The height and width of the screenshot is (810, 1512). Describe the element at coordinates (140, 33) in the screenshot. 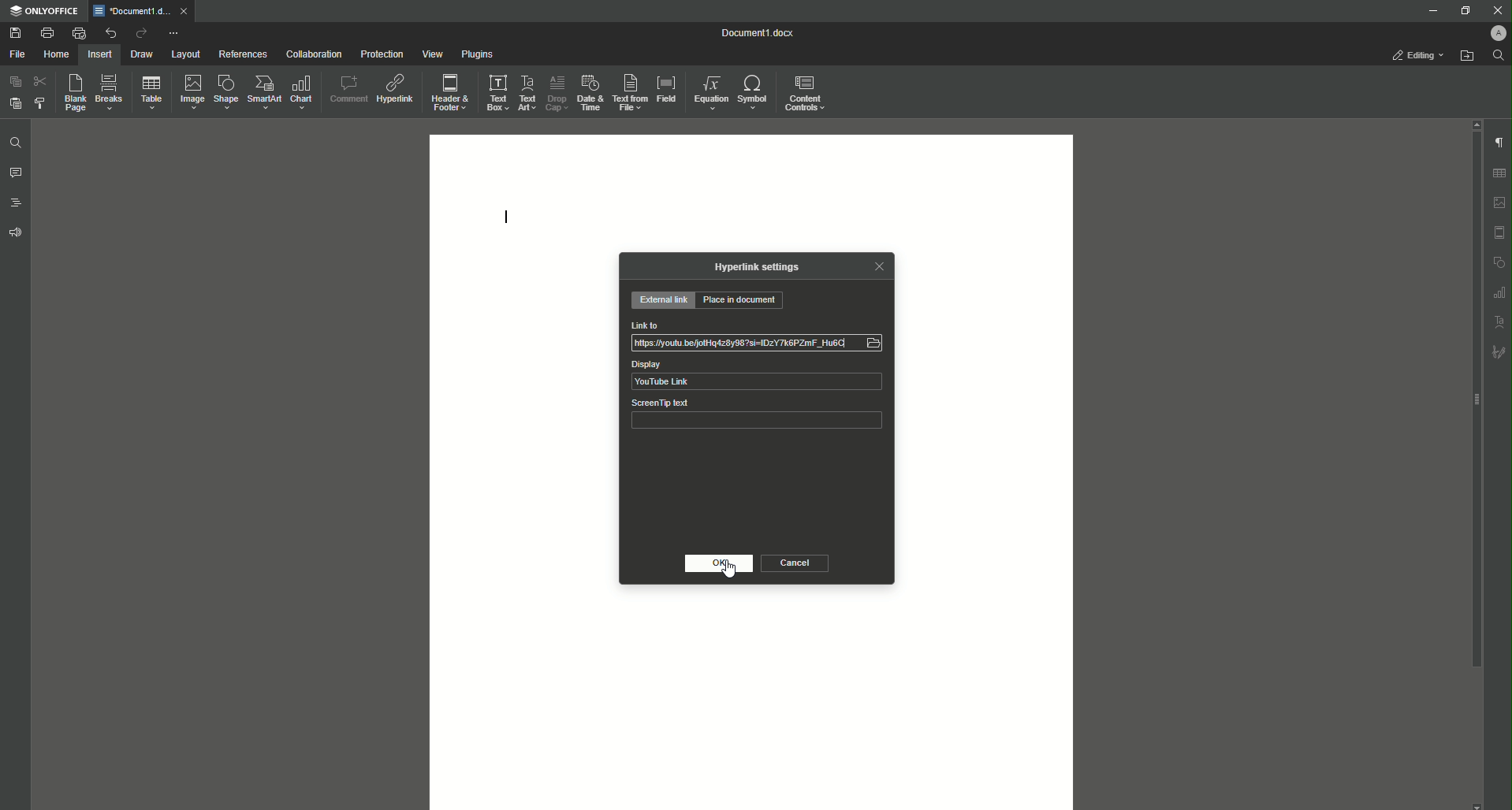

I see `Redo` at that location.